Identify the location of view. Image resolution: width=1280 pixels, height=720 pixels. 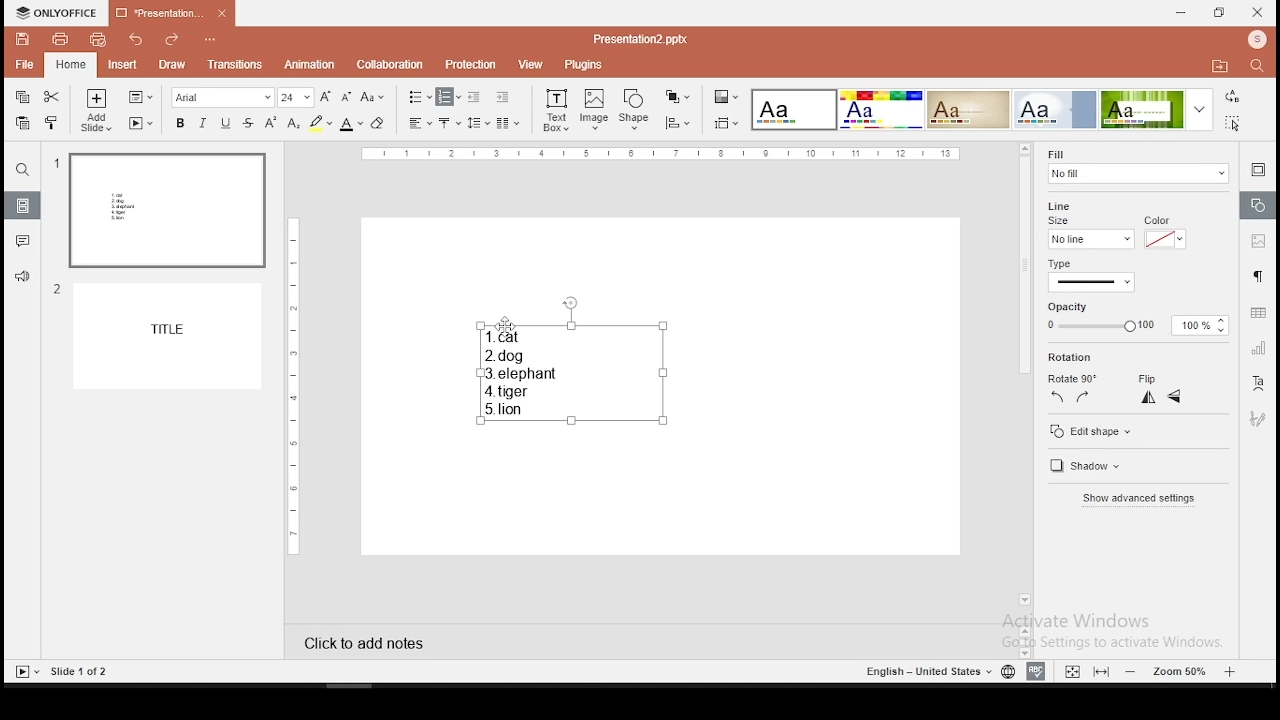
(530, 65).